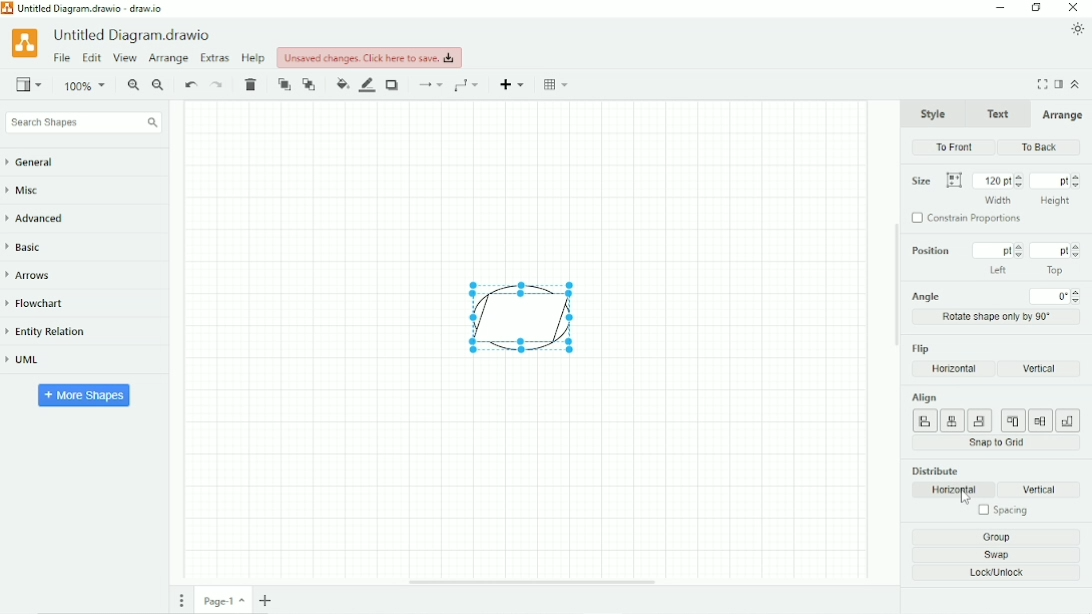 The image size is (1092, 614). I want to click on Arrange, so click(168, 59).